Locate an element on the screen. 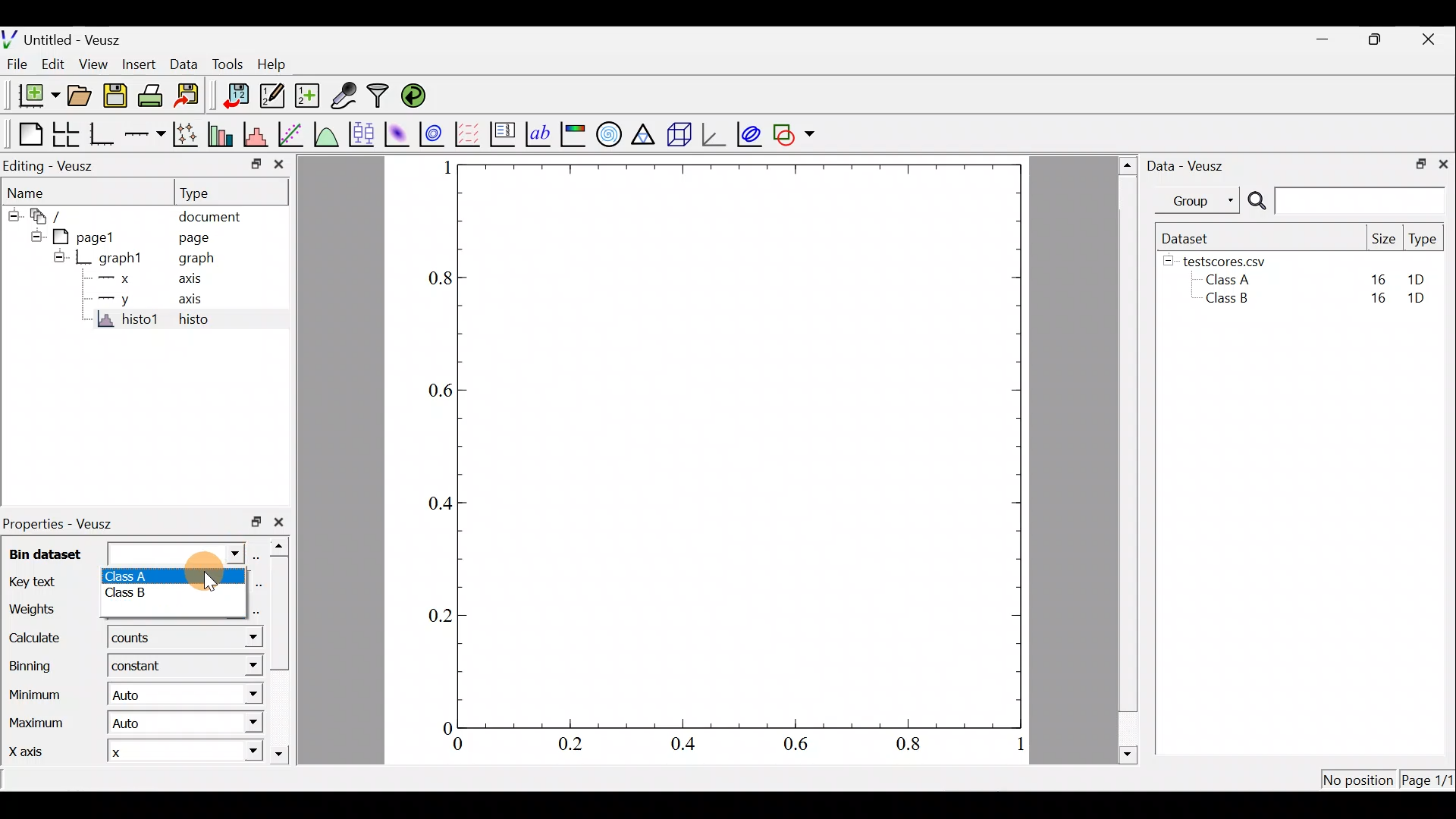 The image size is (1456, 819). edit text is located at coordinates (259, 585).